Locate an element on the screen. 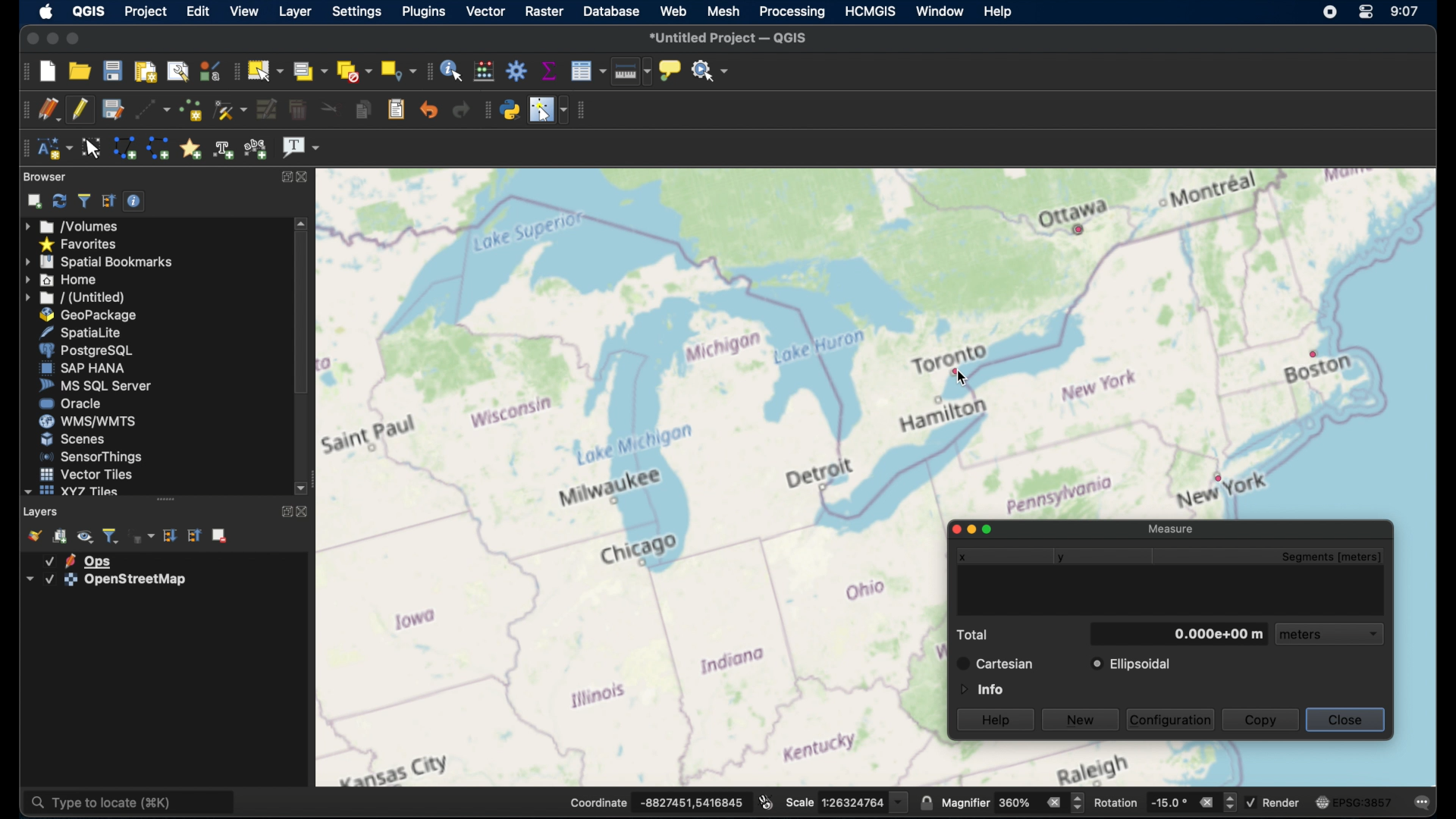 This screenshot has height=819, width=1456. scroll up arrow is located at coordinates (302, 223).